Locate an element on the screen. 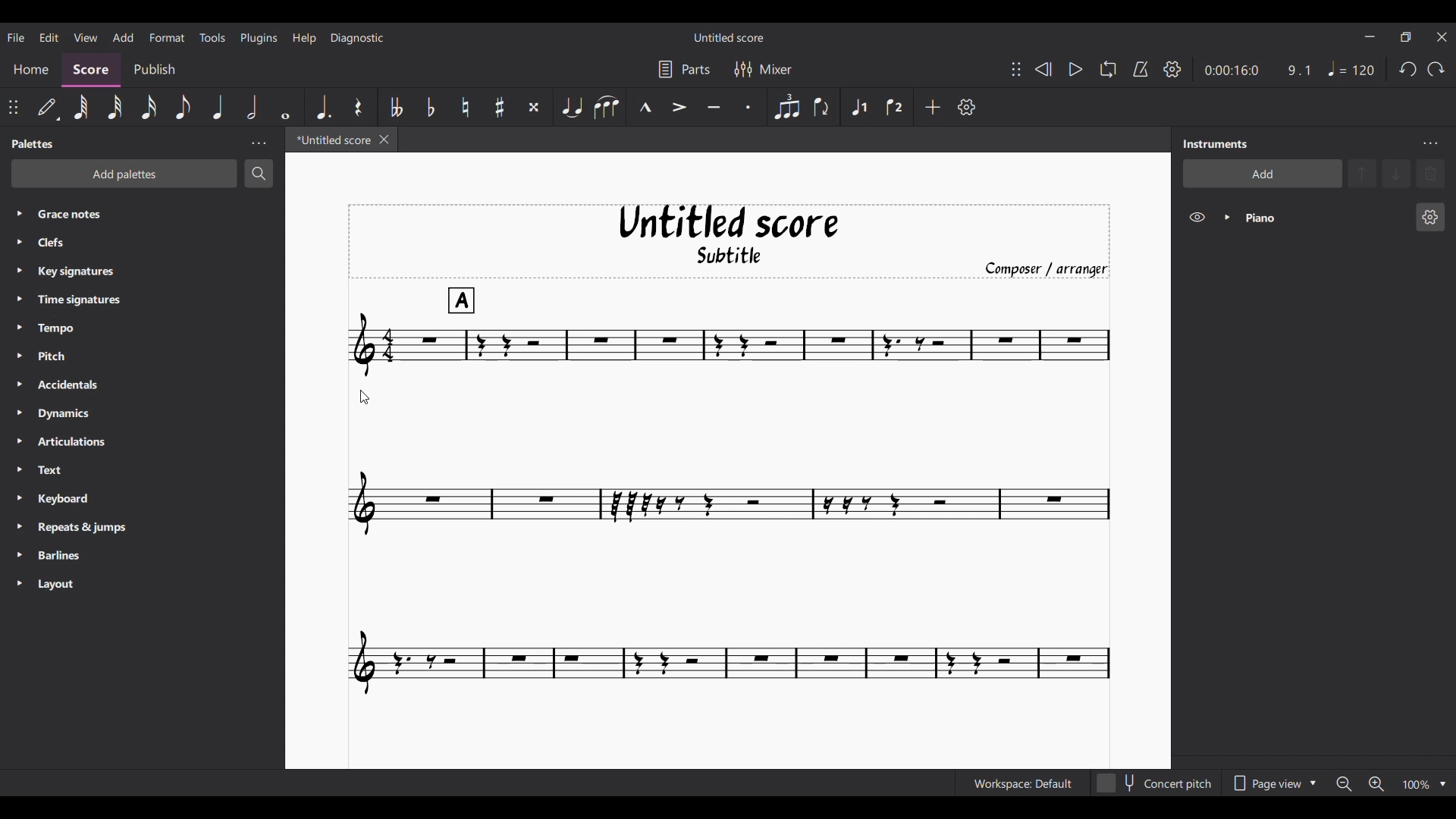  Tempo is located at coordinates (85, 329).